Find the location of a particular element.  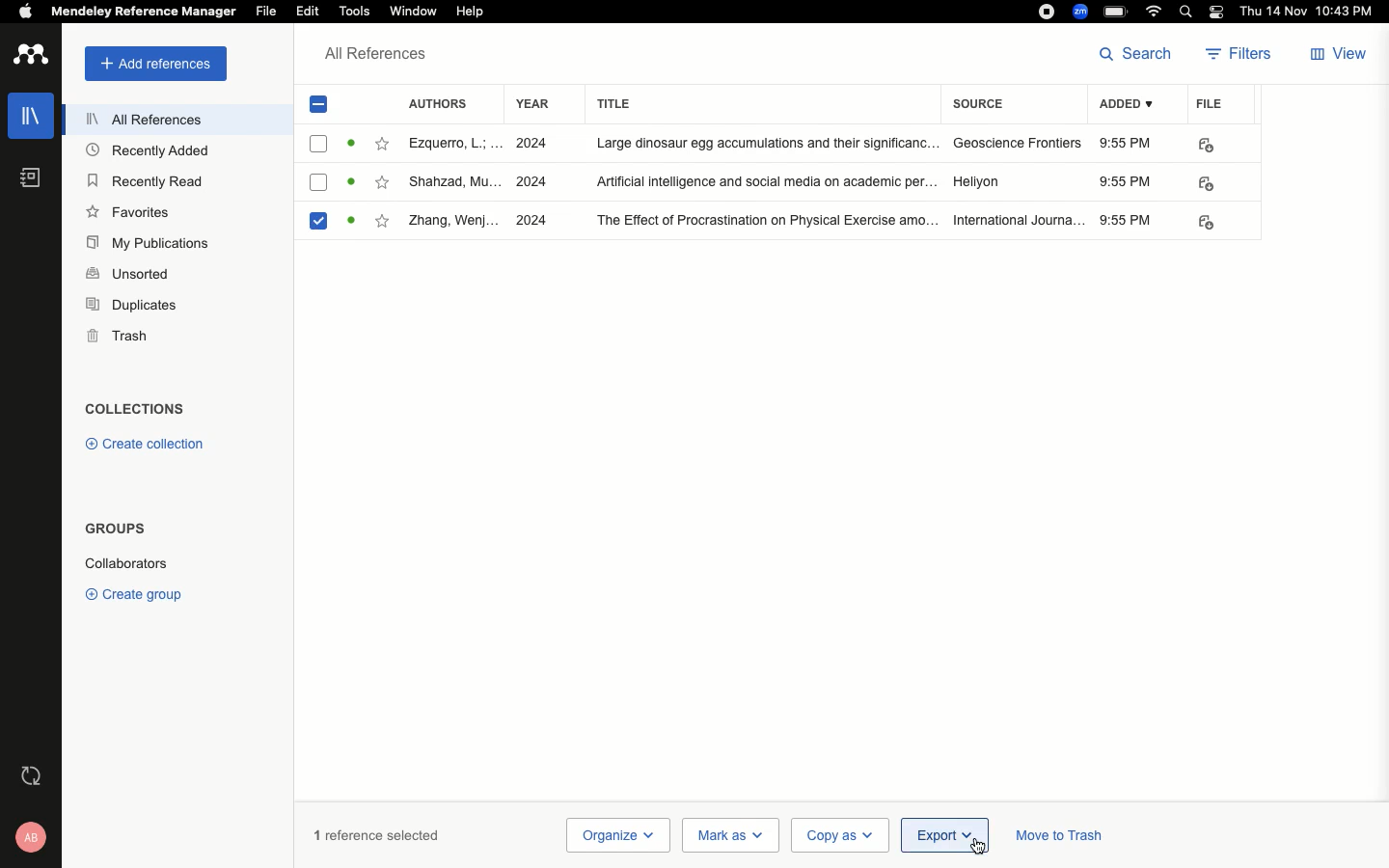

Internet is located at coordinates (1154, 12).